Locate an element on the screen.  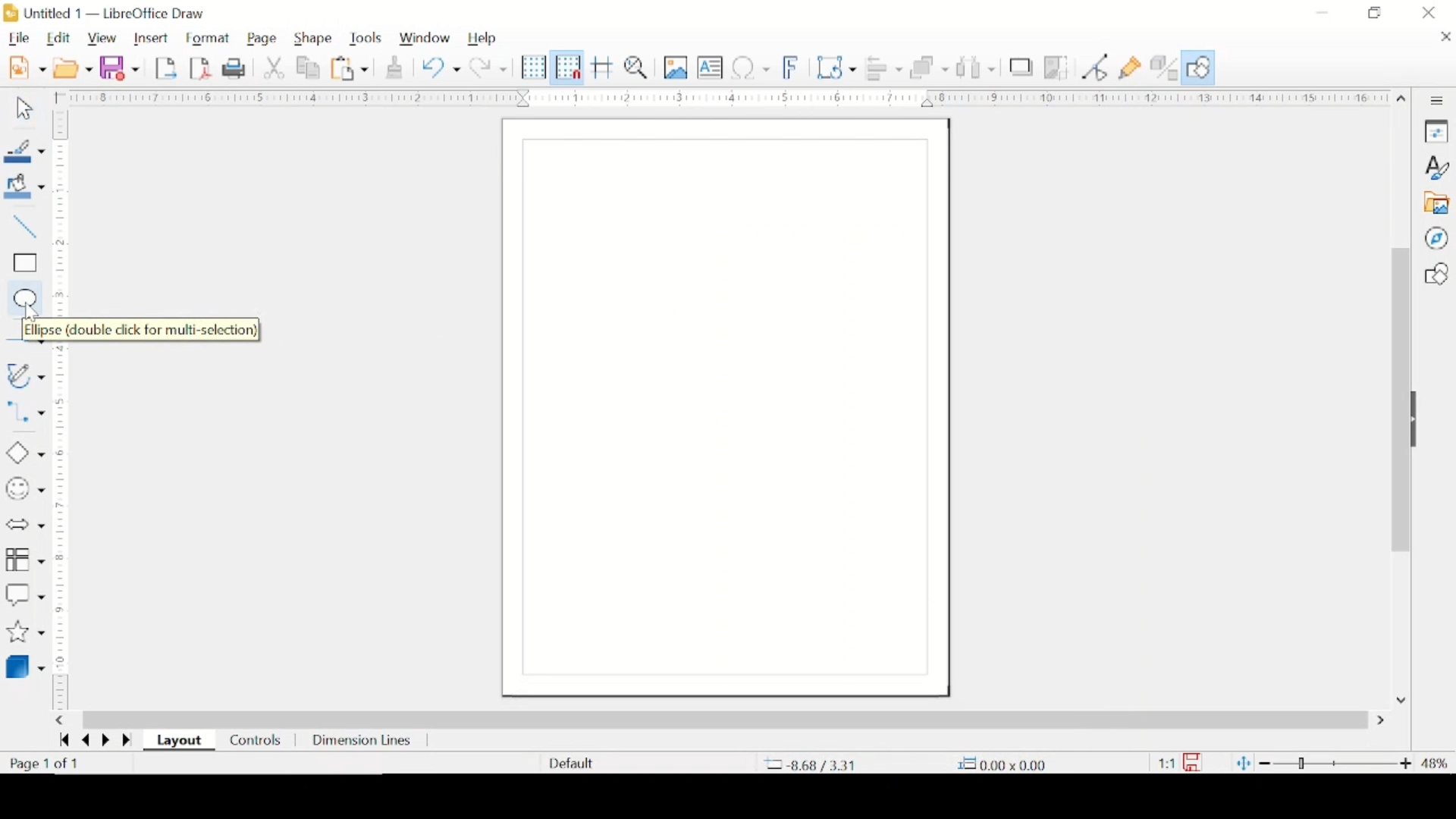
this document has been modified is located at coordinates (1182, 761).